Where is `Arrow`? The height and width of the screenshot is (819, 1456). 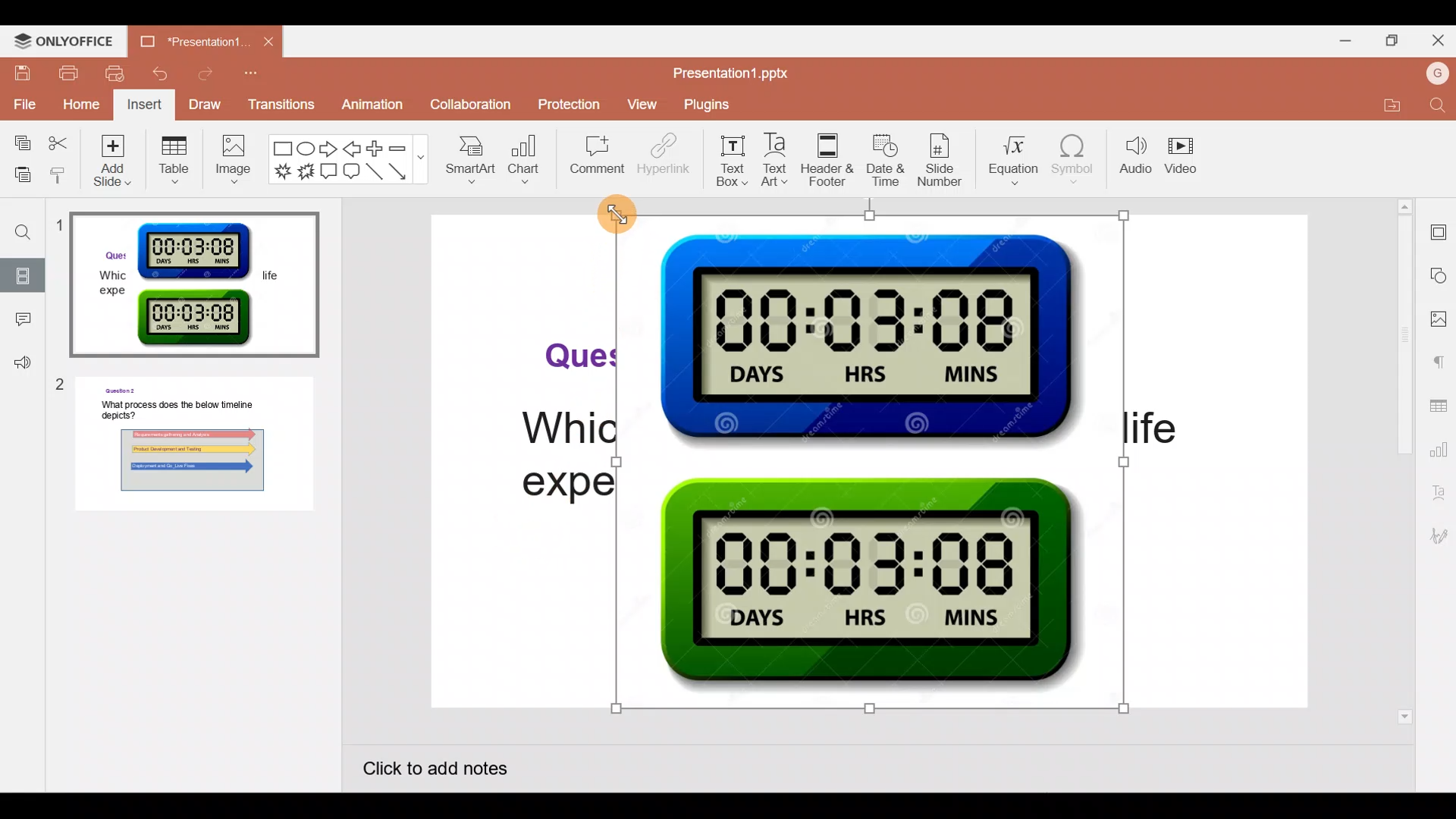
Arrow is located at coordinates (402, 174).